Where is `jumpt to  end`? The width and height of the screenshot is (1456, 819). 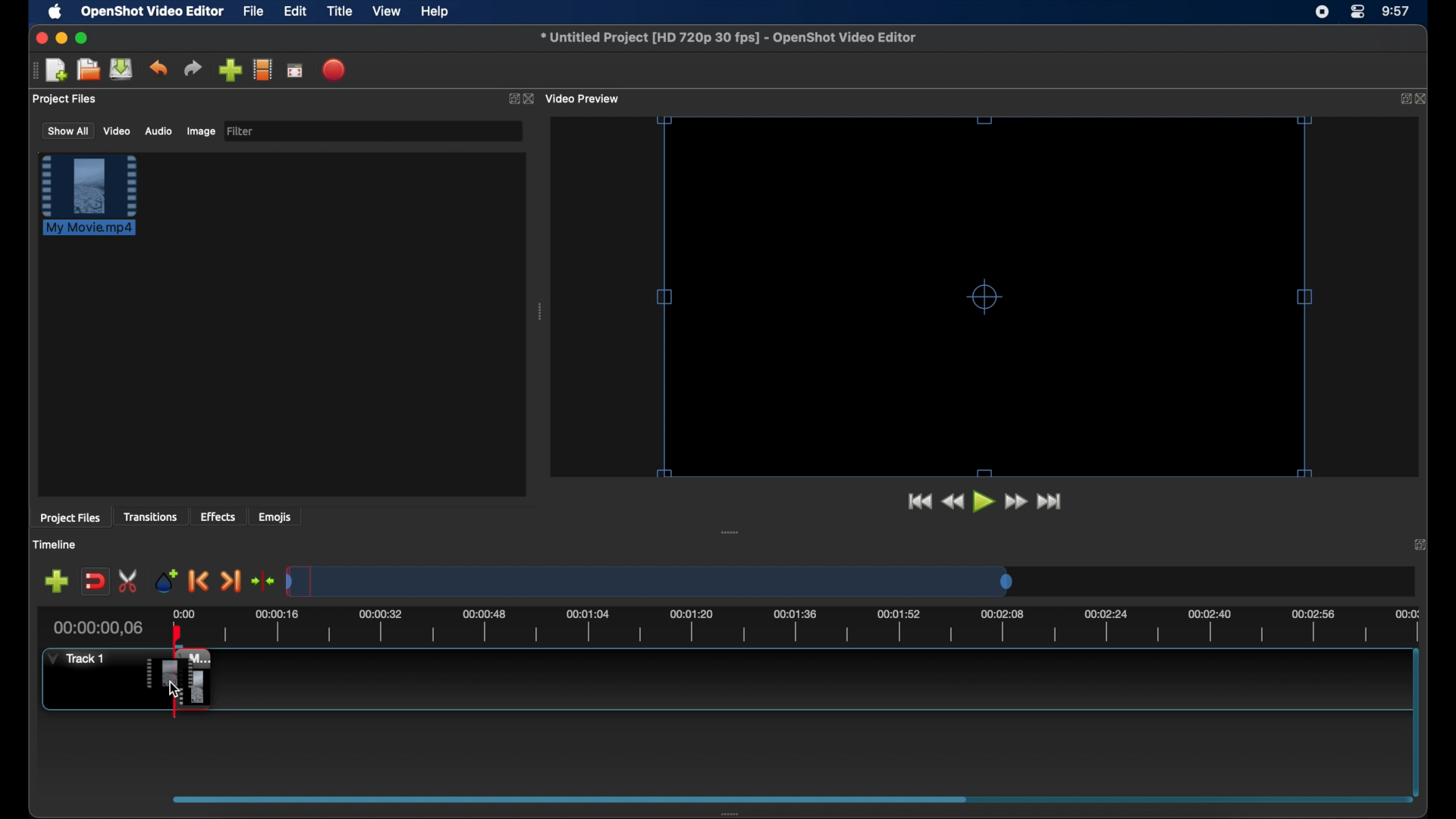
jumpt to  end is located at coordinates (1050, 501).